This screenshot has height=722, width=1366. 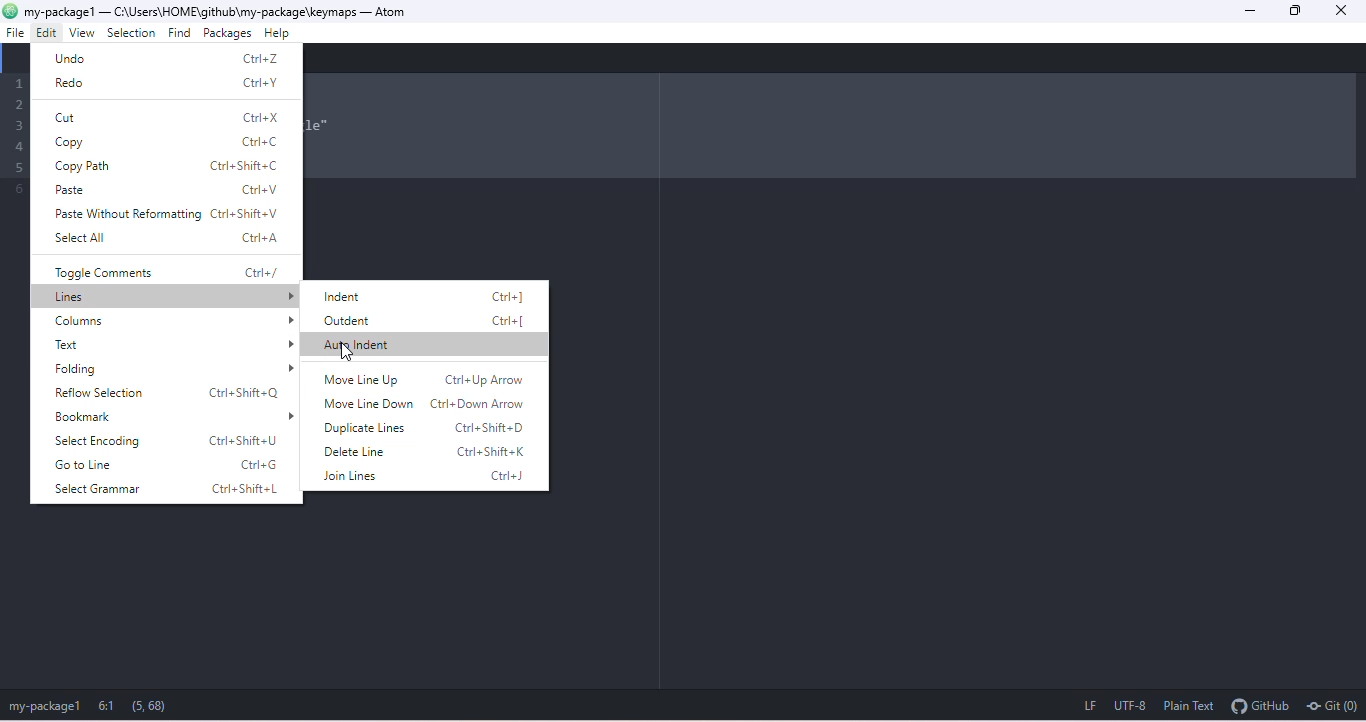 I want to click on copy, so click(x=162, y=144).